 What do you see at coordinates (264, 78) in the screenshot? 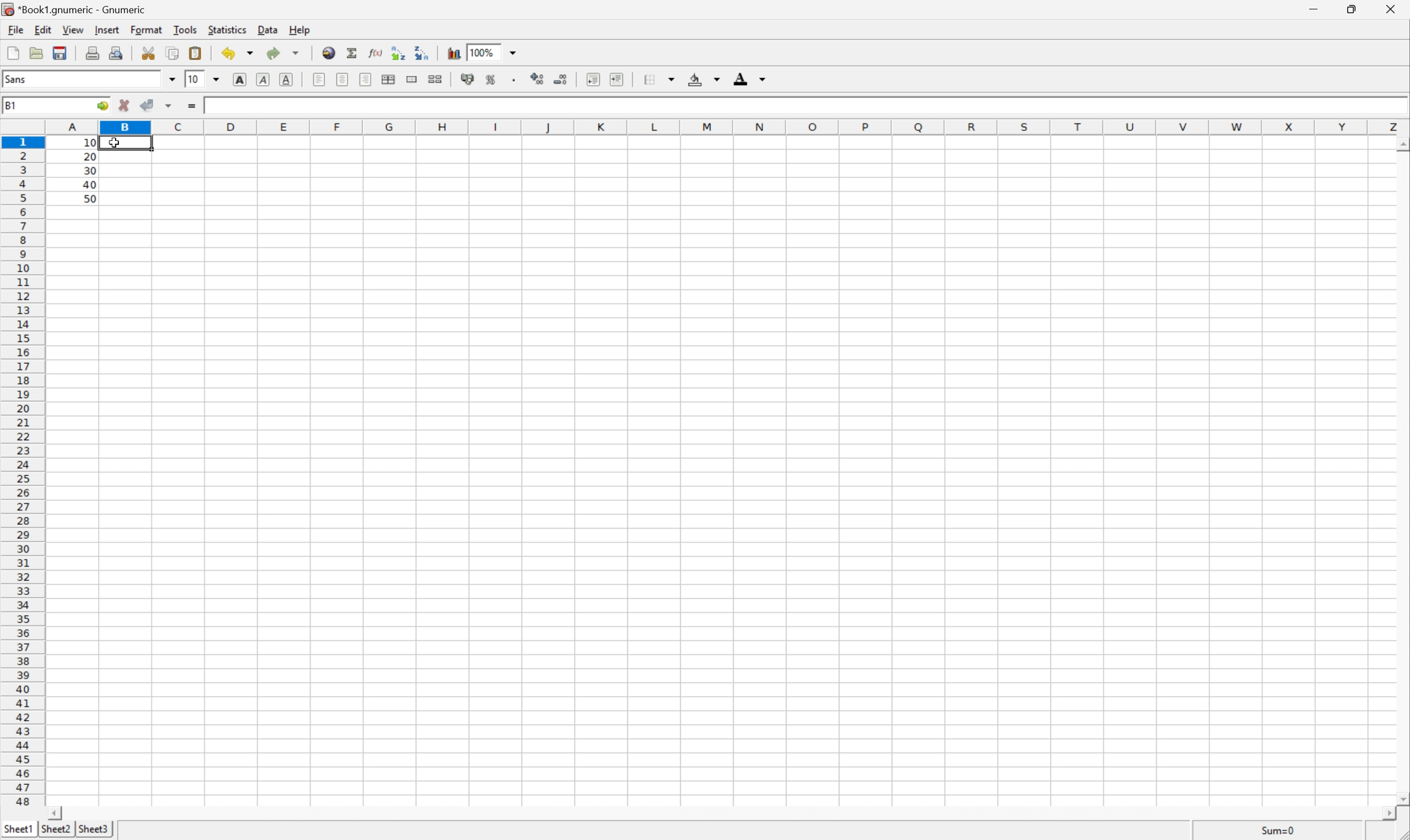
I see `Italic` at bounding box center [264, 78].